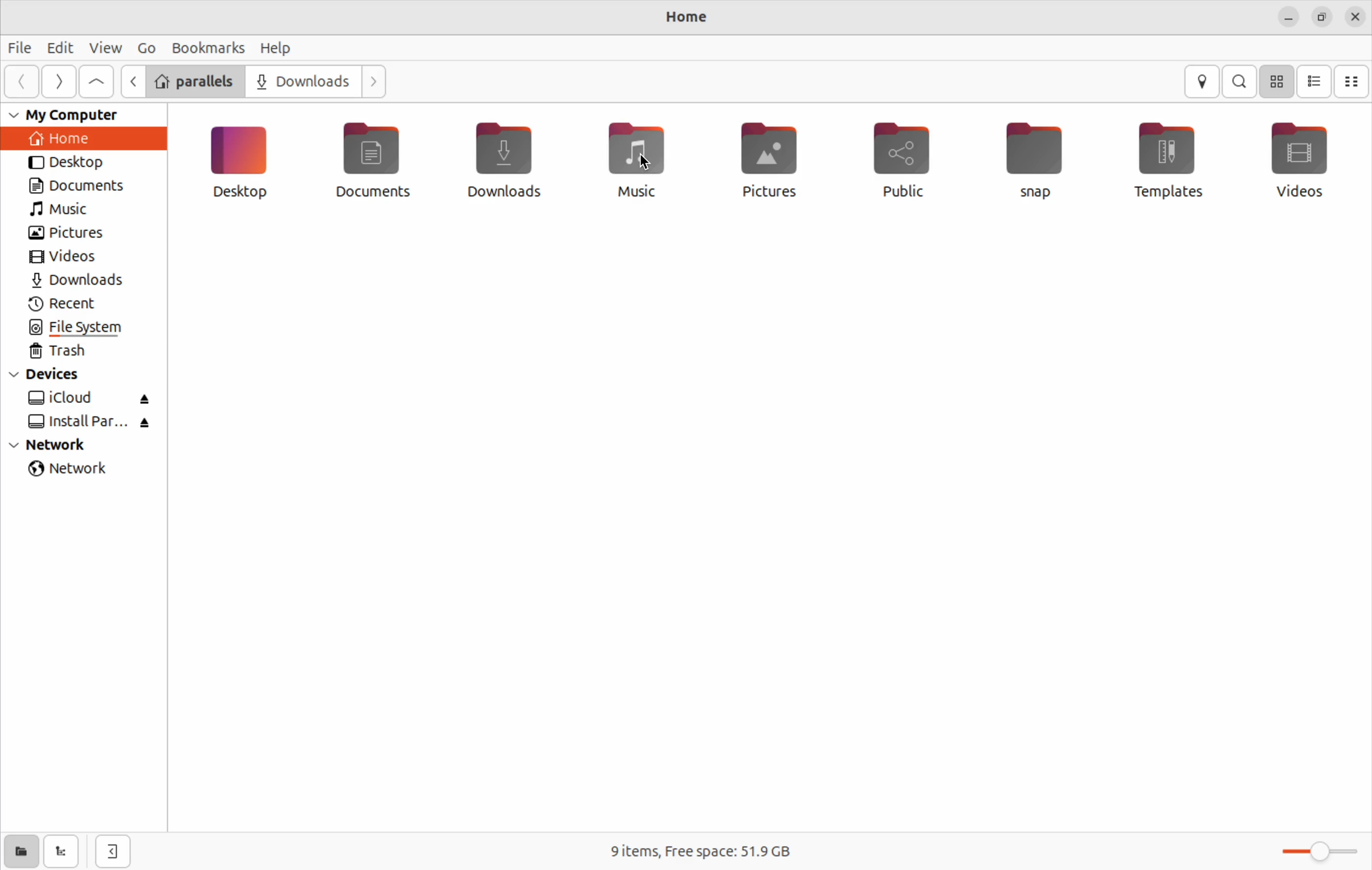 The image size is (1372, 870). I want to click on devices, so click(54, 375).